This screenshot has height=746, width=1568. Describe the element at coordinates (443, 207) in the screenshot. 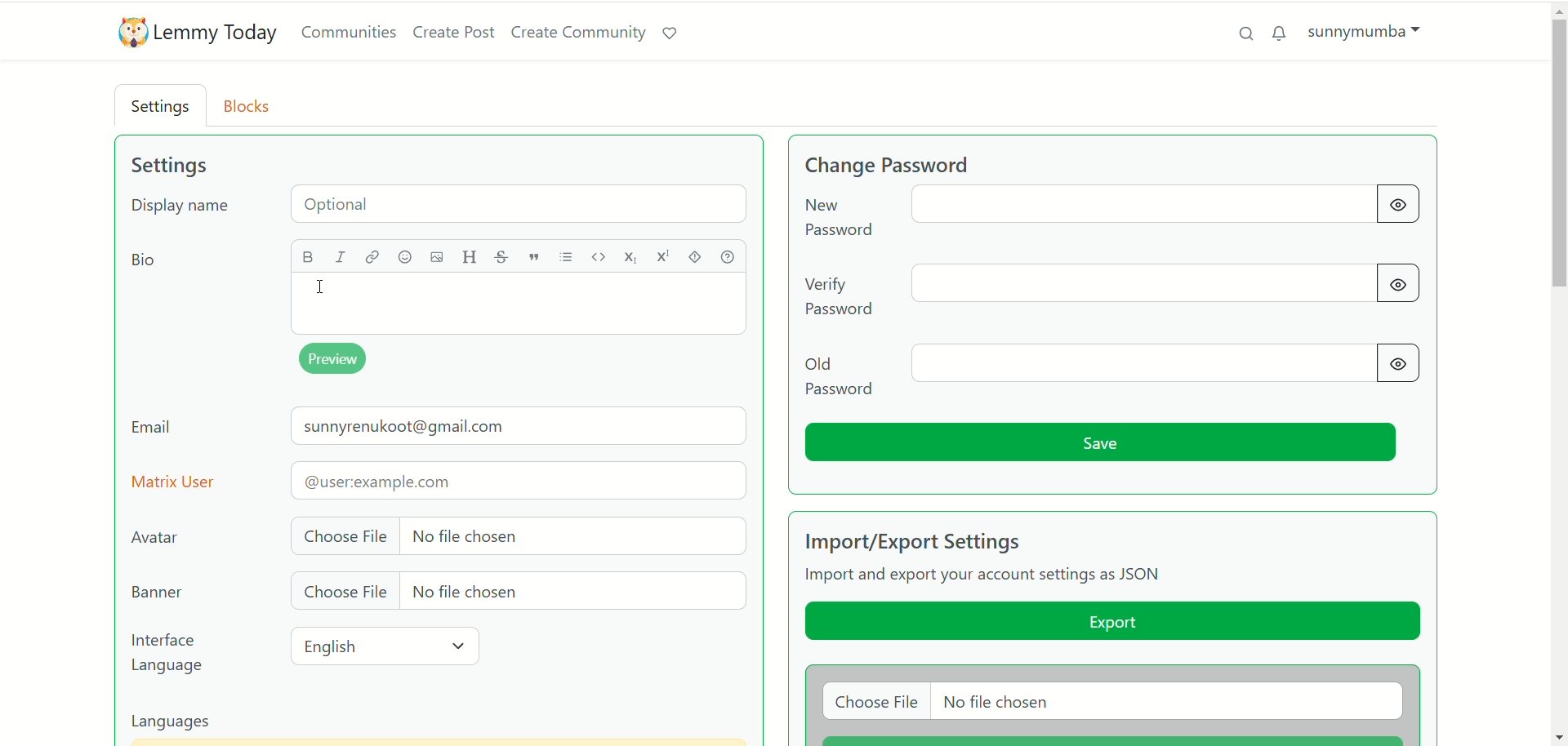

I see `display name` at that location.